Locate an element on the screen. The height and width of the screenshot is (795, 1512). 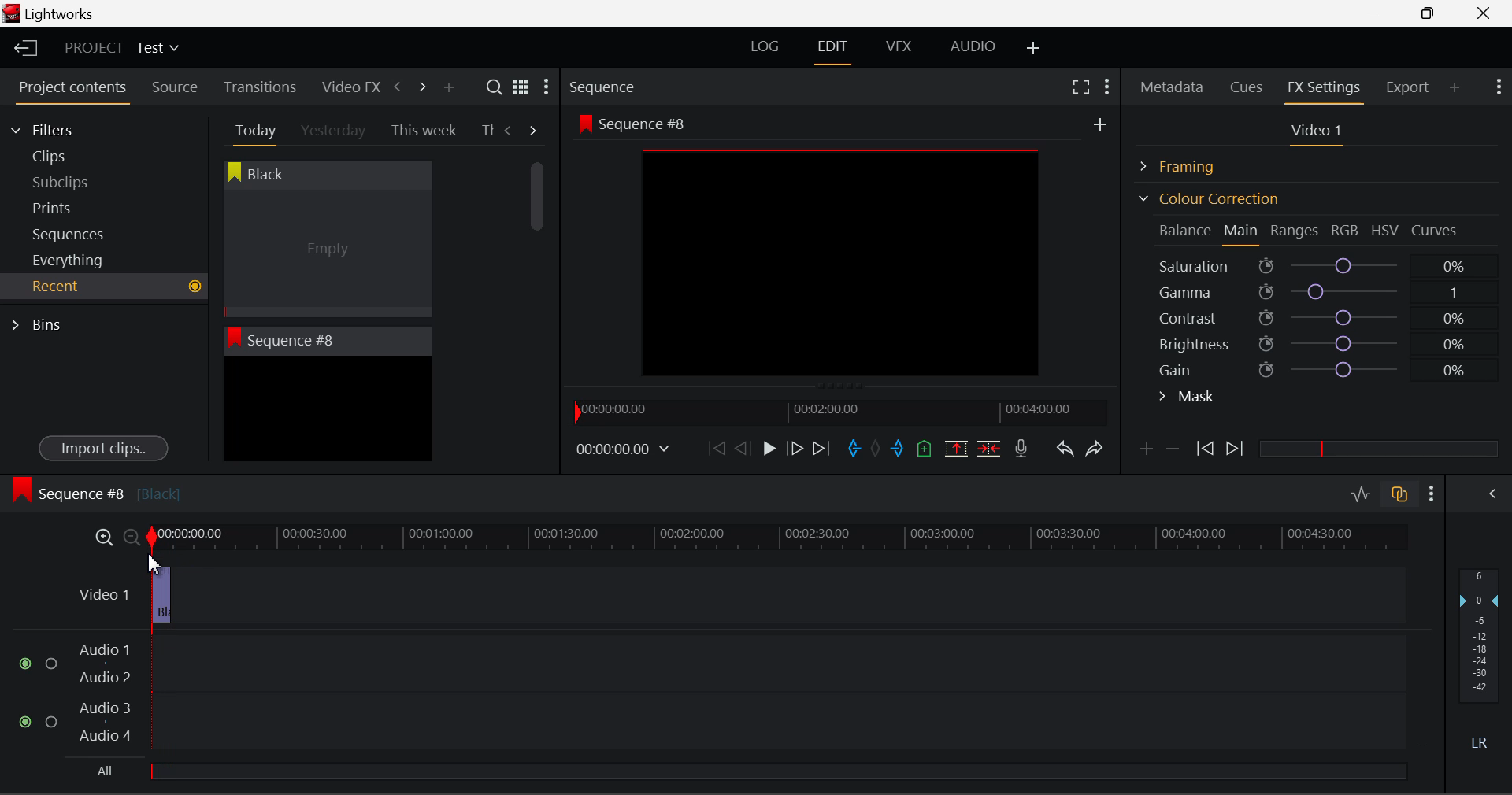
Restore Down is located at coordinates (1379, 13).